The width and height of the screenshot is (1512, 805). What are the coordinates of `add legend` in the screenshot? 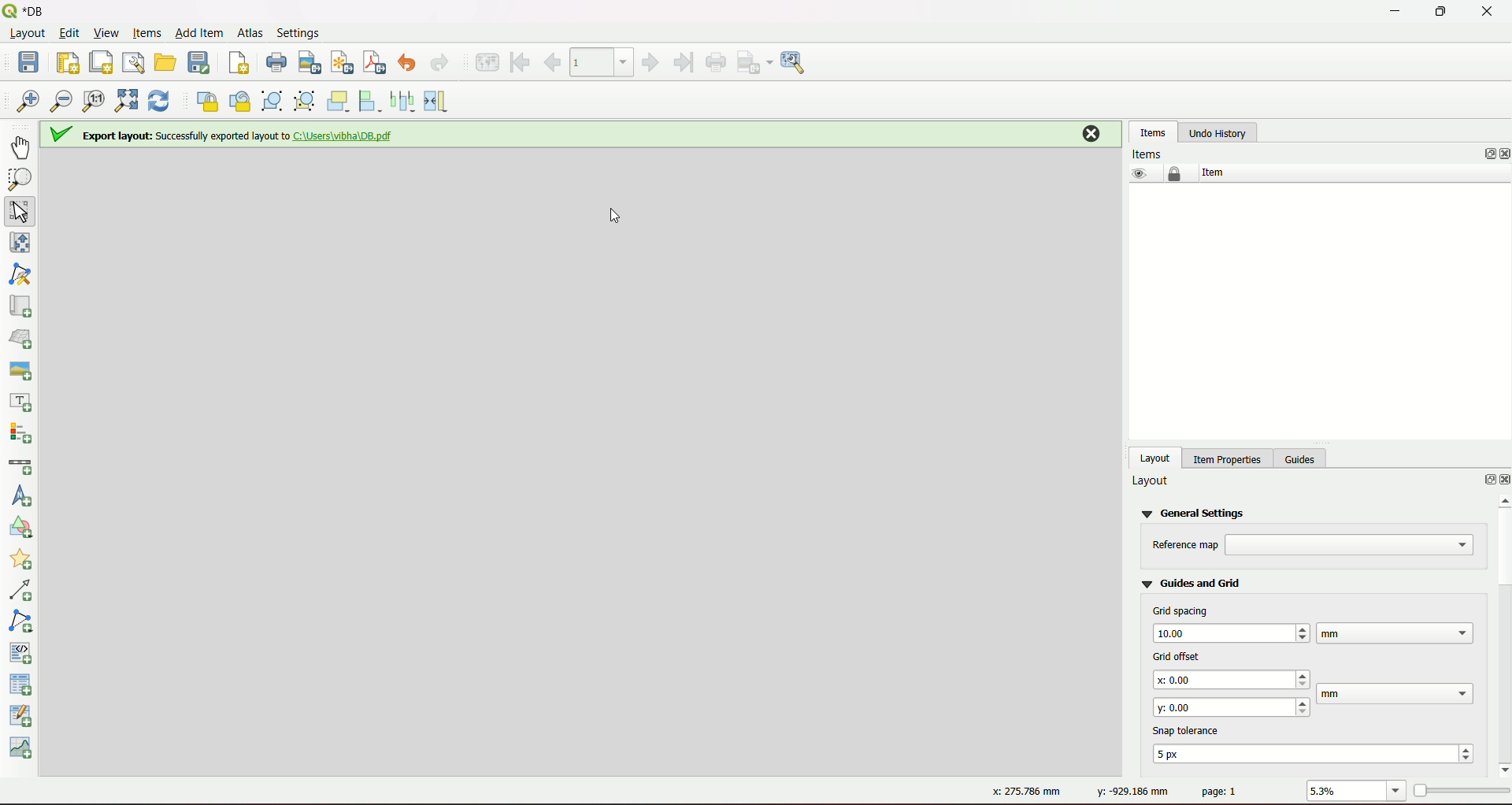 It's located at (23, 434).